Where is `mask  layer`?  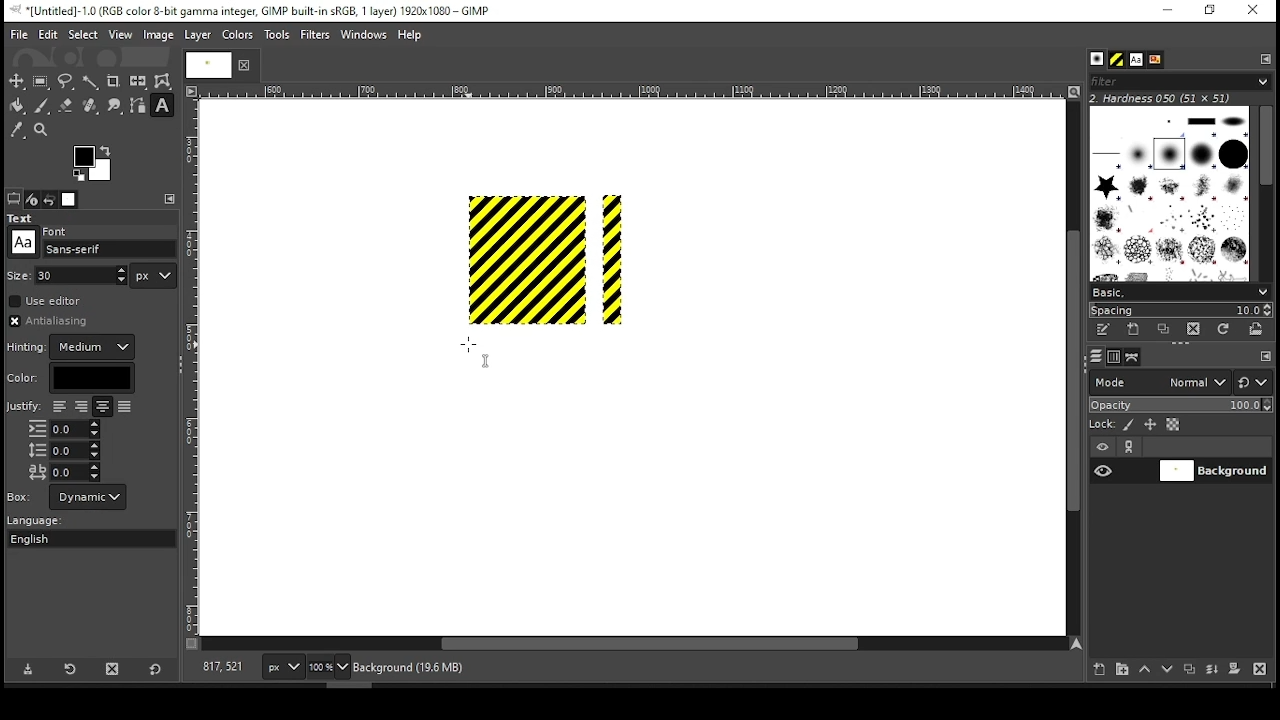
mask  layer is located at coordinates (1234, 670).